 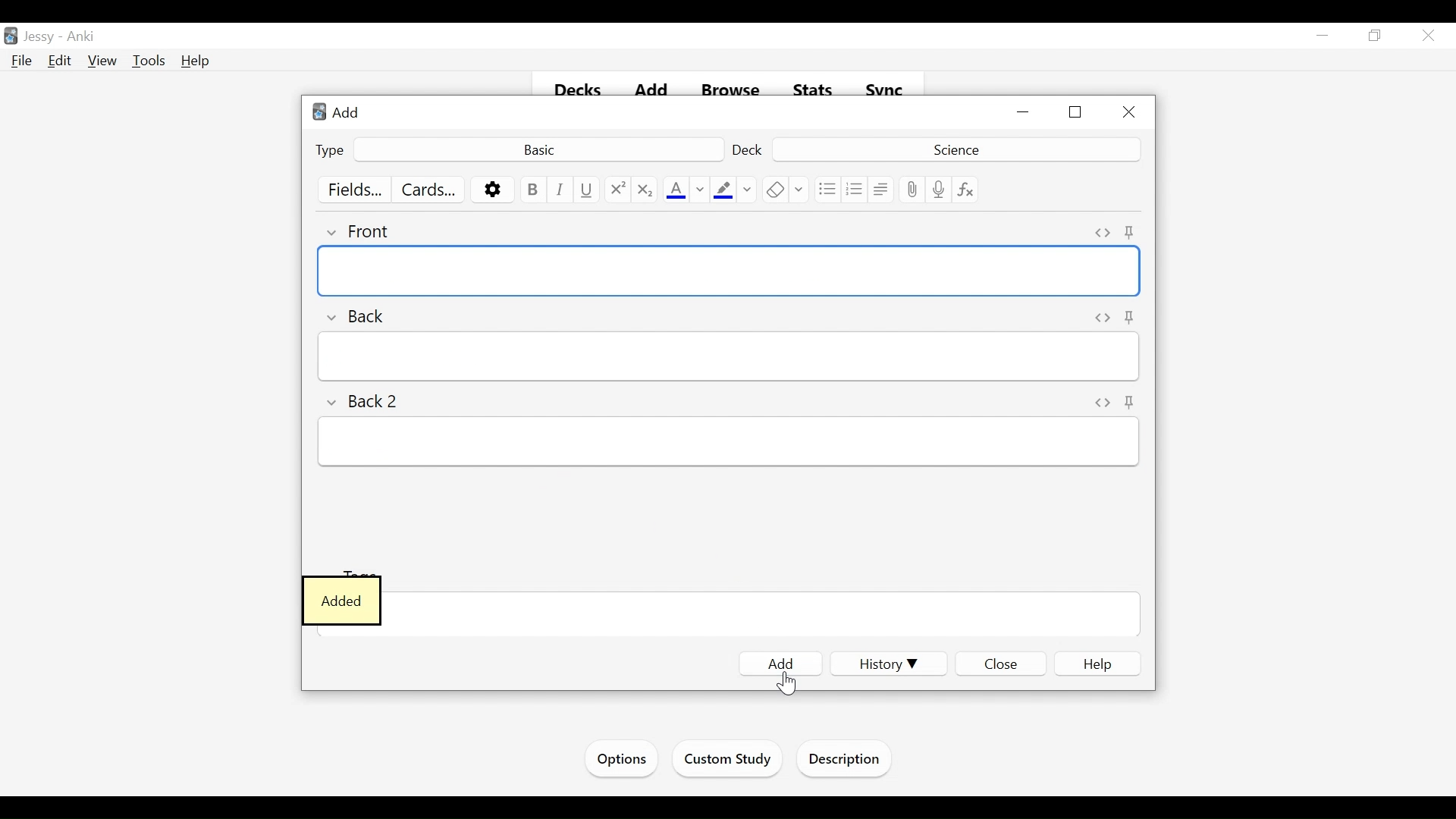 I want to click on Toggle HTML editor, so click(x=1099, y=316).